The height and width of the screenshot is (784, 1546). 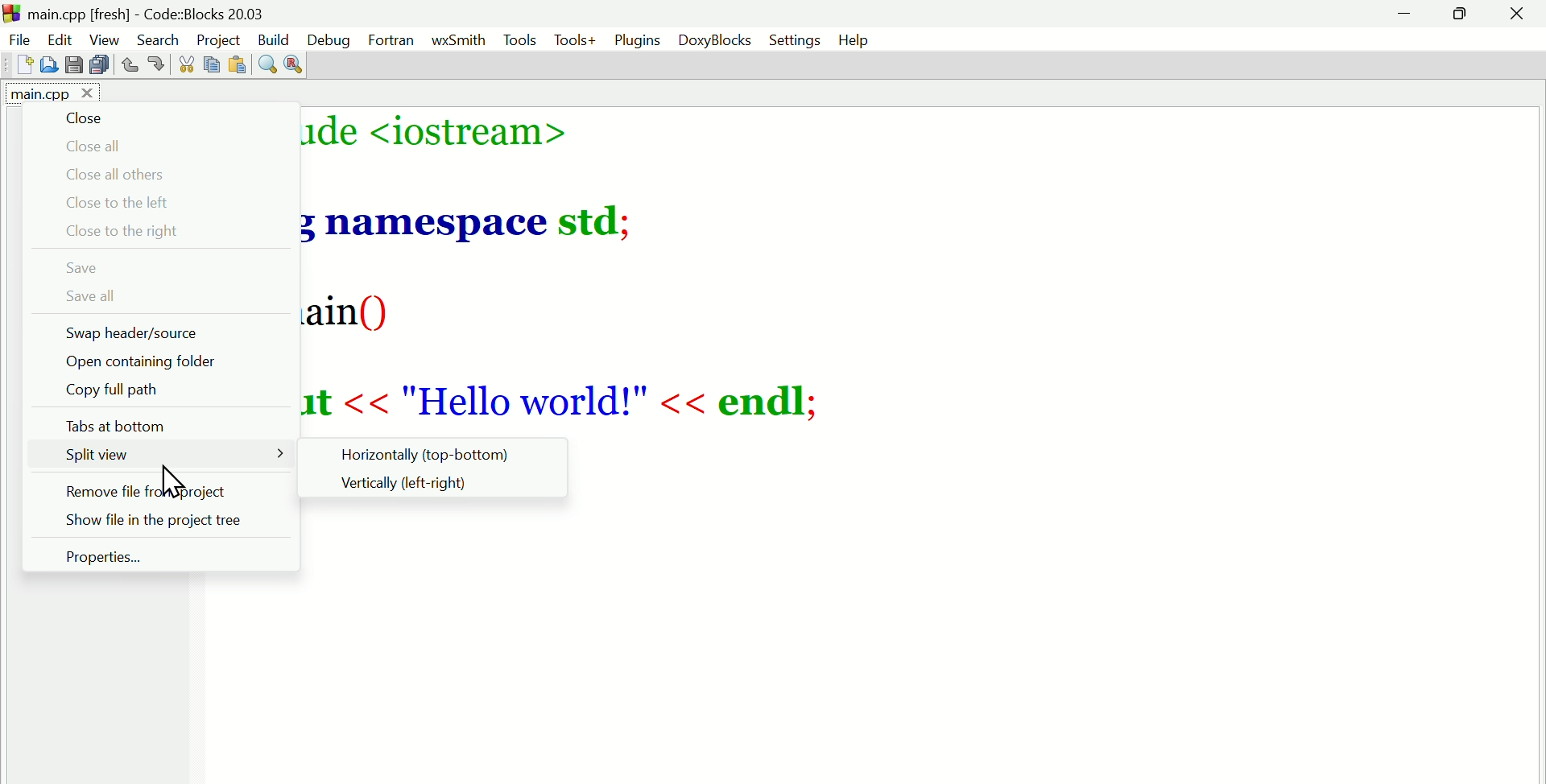 What do you see at coordinates (176, 480) in the screenshot?
I see `cursor` at bounding box center [176, 480].